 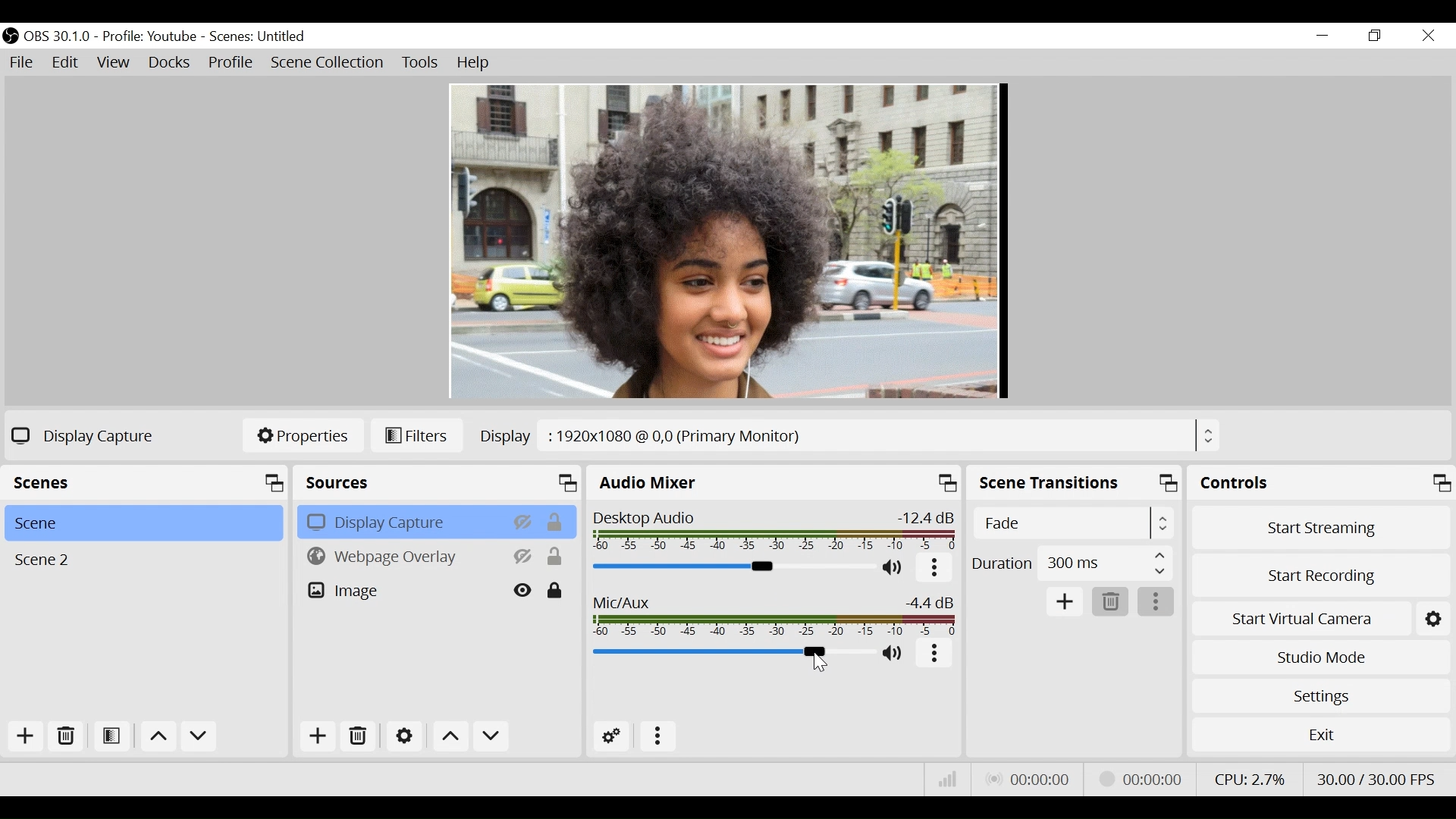 What do you see at coordinates (152, 36) in the screenshot?
I see `Profile ` at bounding box center [152, 36].